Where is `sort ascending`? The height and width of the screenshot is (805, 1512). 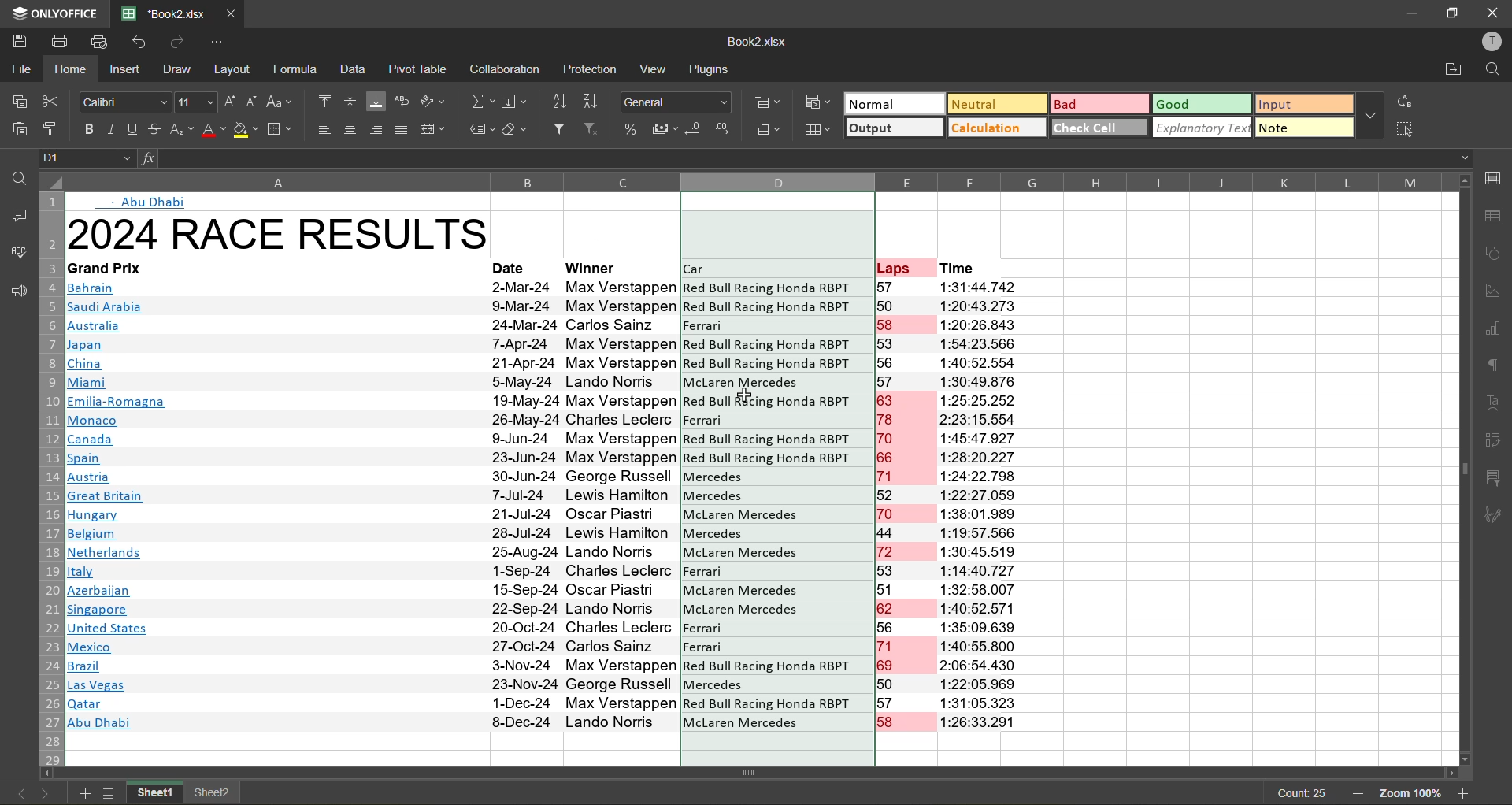
sort ascending is located at coordinates (561, 102).